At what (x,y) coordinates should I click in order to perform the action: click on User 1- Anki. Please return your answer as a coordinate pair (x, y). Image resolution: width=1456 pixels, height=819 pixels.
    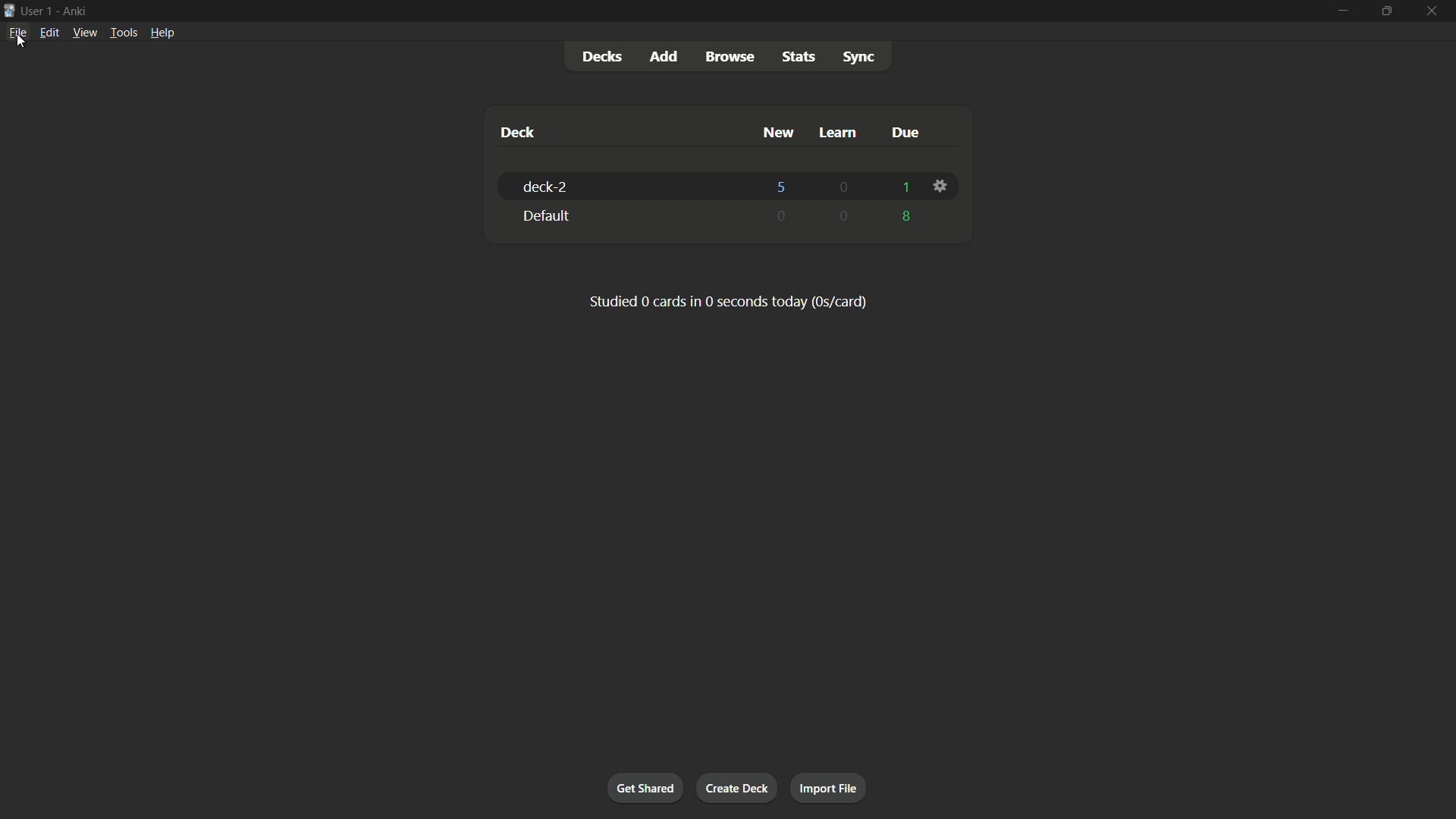
    Looking at the image, I should click on (660, 10).